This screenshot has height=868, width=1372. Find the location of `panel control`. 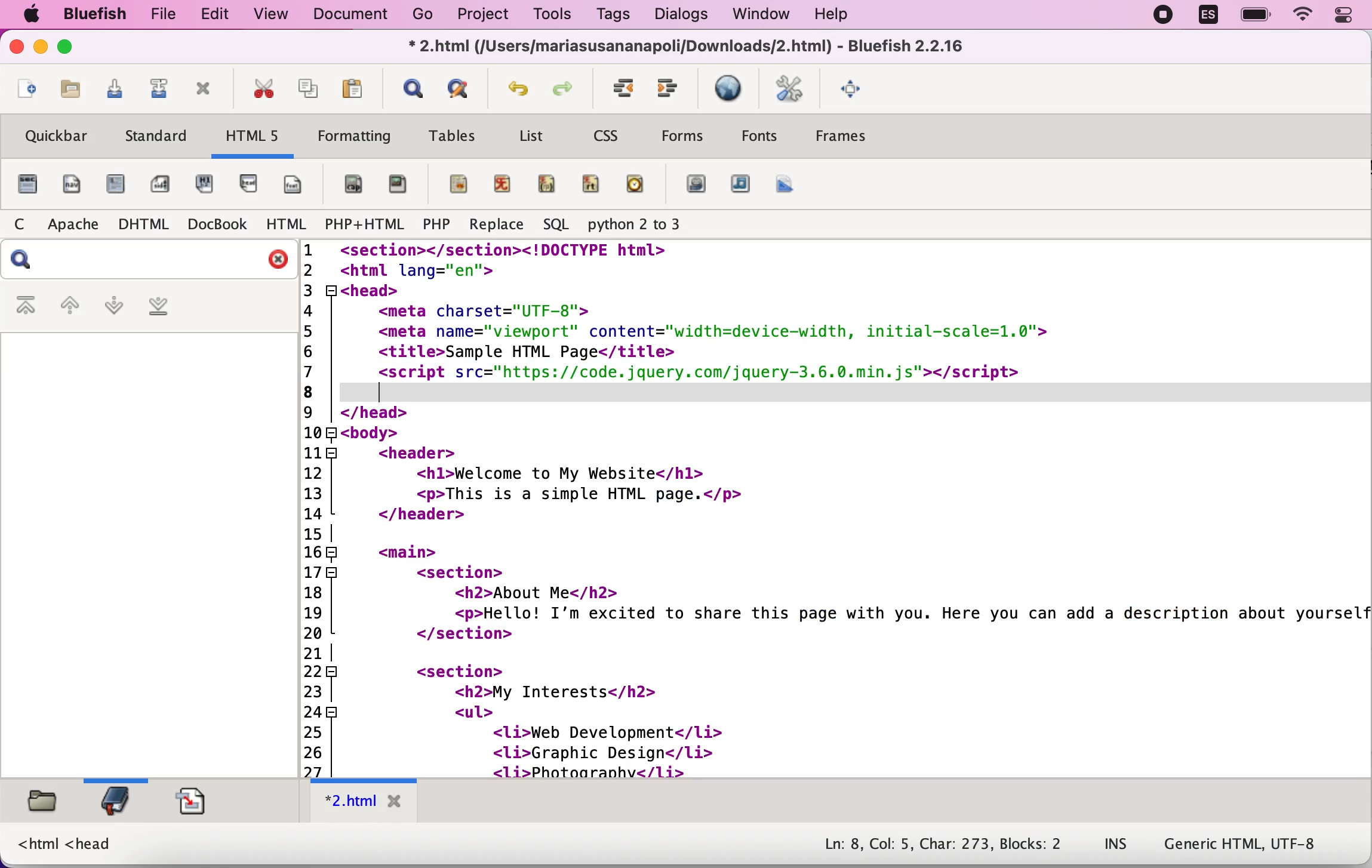

panel control is located at coordinates (1344, 16).